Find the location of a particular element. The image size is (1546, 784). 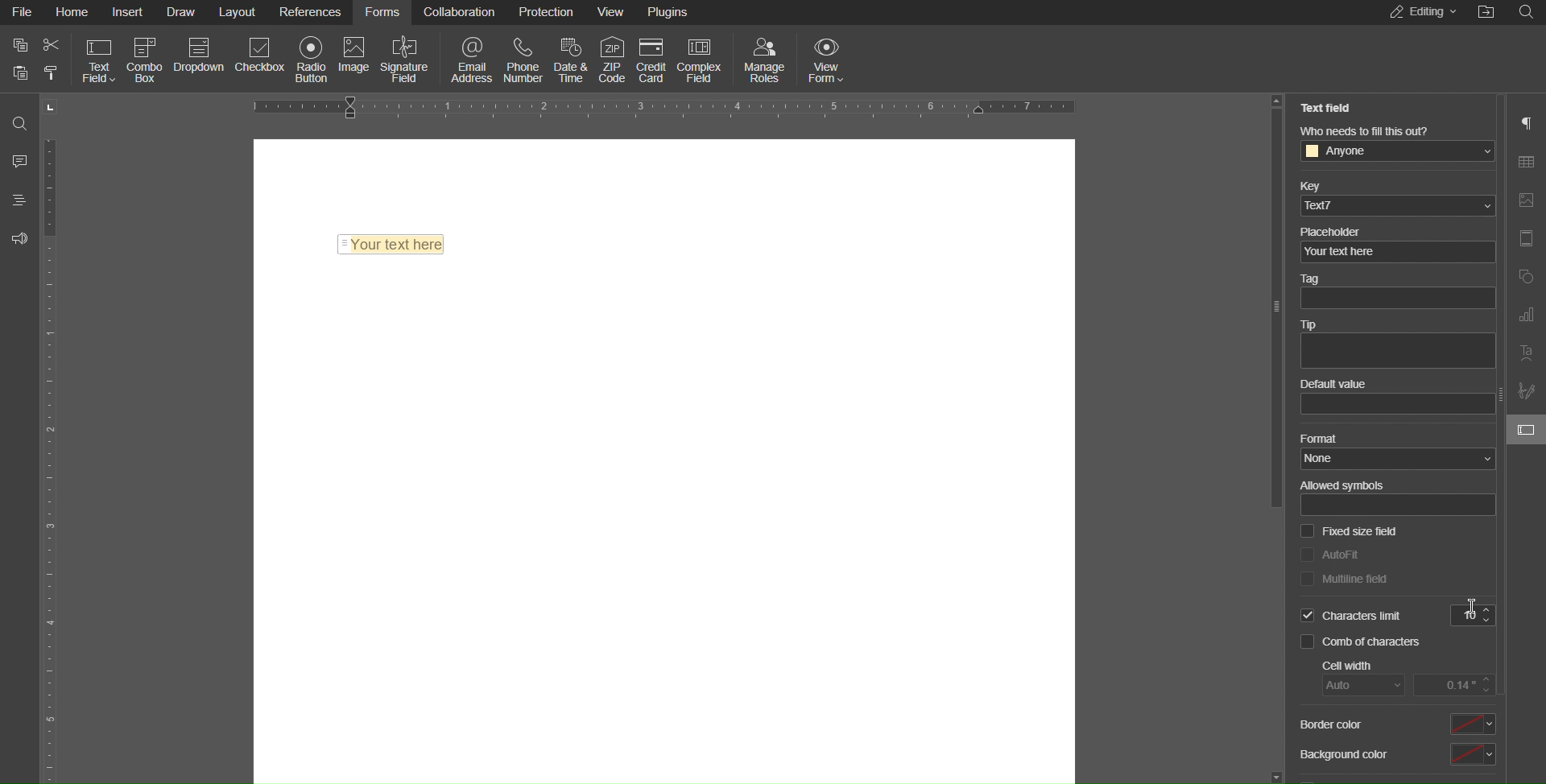

Complex Field is located at coordinates (700, 56).